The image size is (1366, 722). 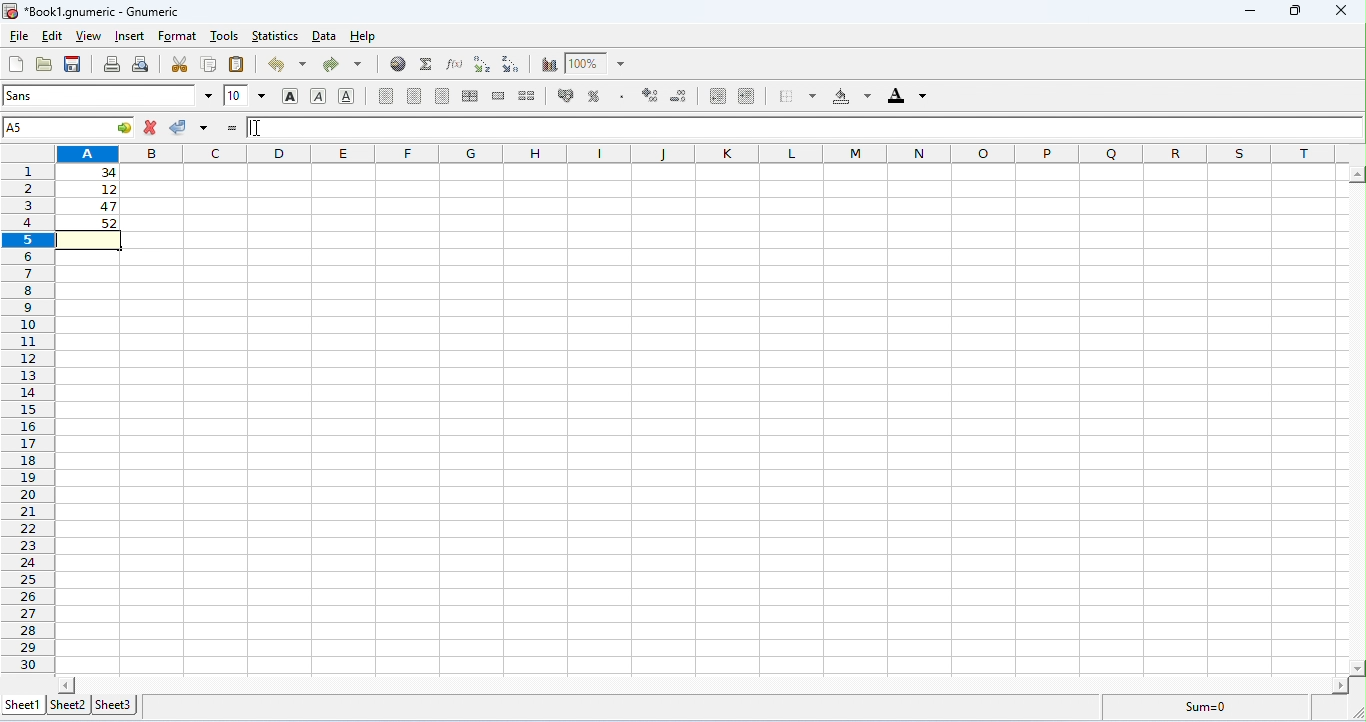 I want to click on sort ascending, so click(x=482, y=64).